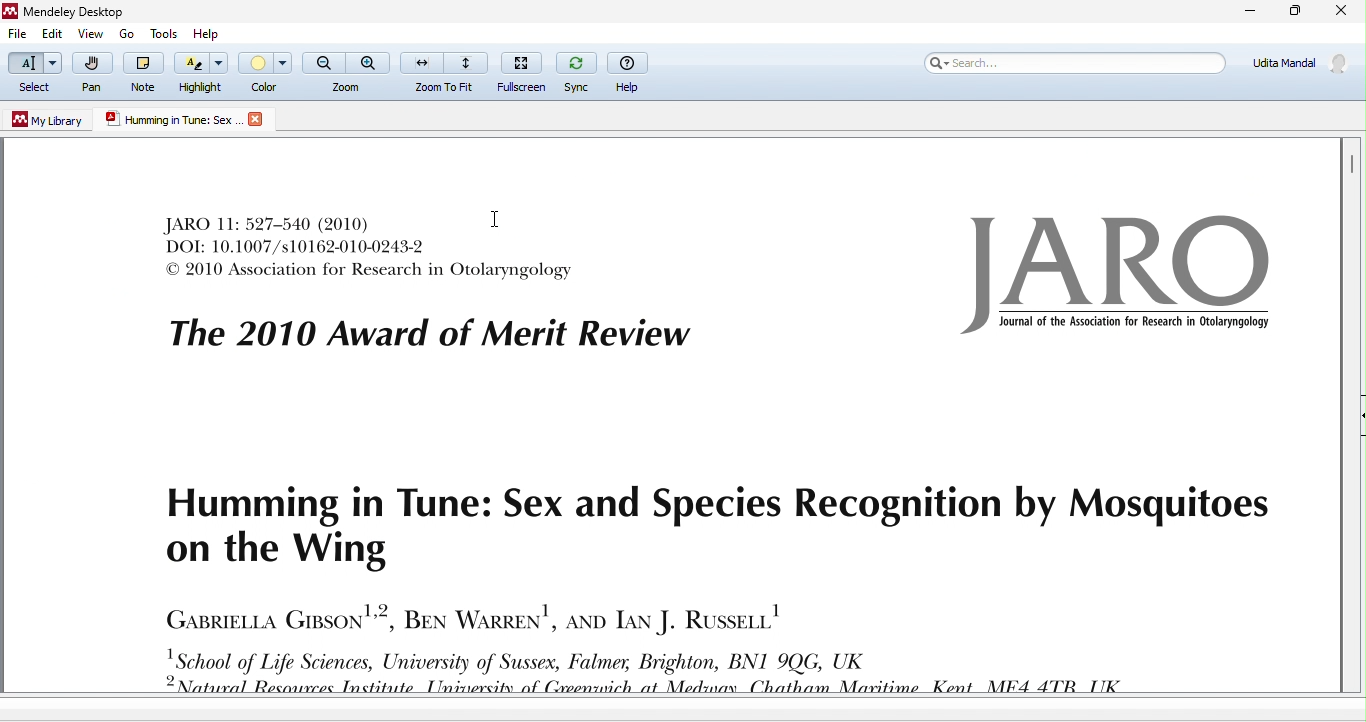 Image resolution: width=1366 pixels, height=722 pixels. I want to click on maximize, so click(1294, 12).